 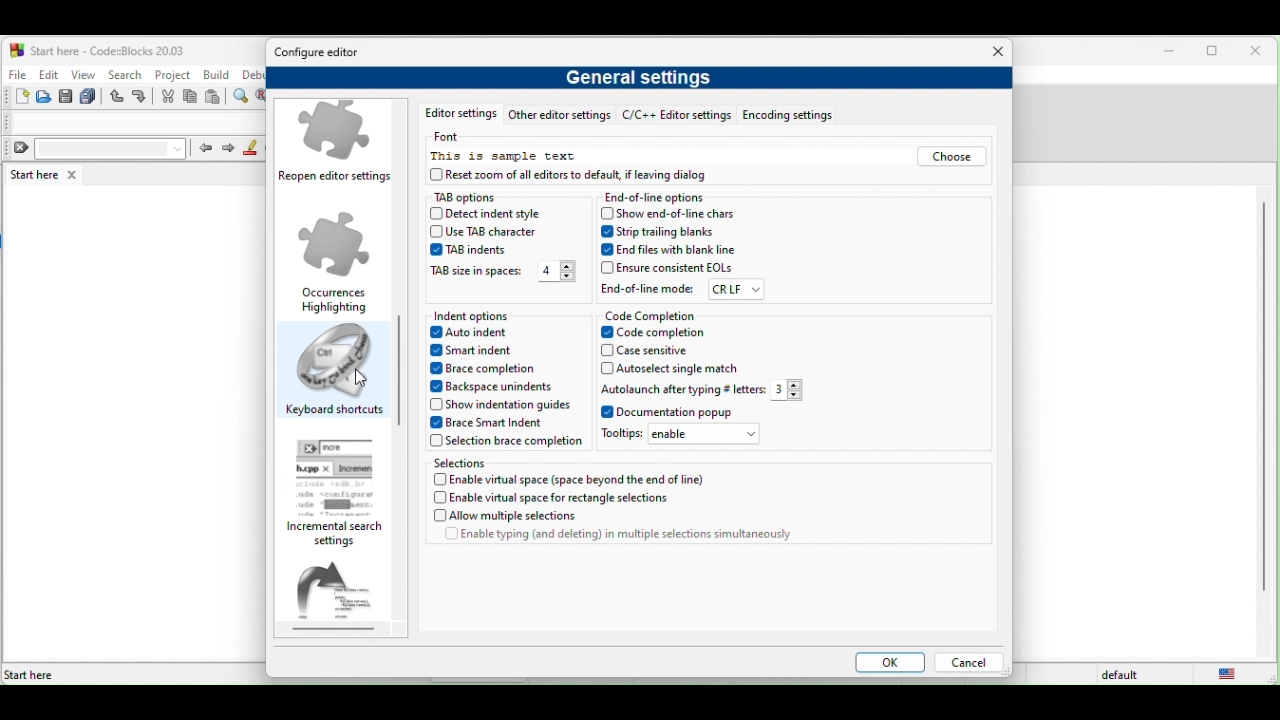 What do you see at coordinates (398, 354) in the screenshot?
I see `scroll bar moved` at bounding box center [398, 354].